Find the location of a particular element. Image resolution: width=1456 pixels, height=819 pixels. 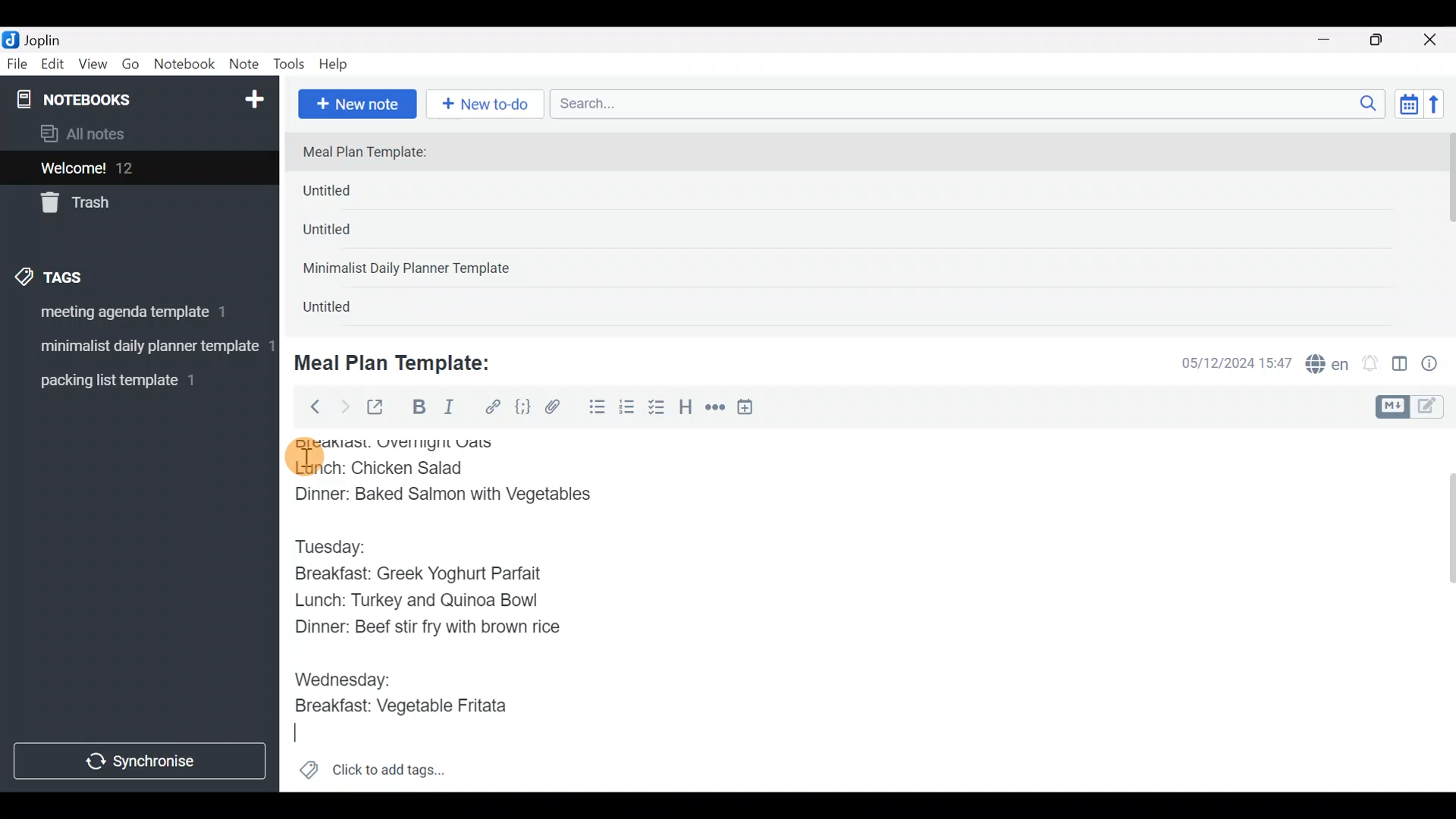

View is located at coordinates (93, 67).